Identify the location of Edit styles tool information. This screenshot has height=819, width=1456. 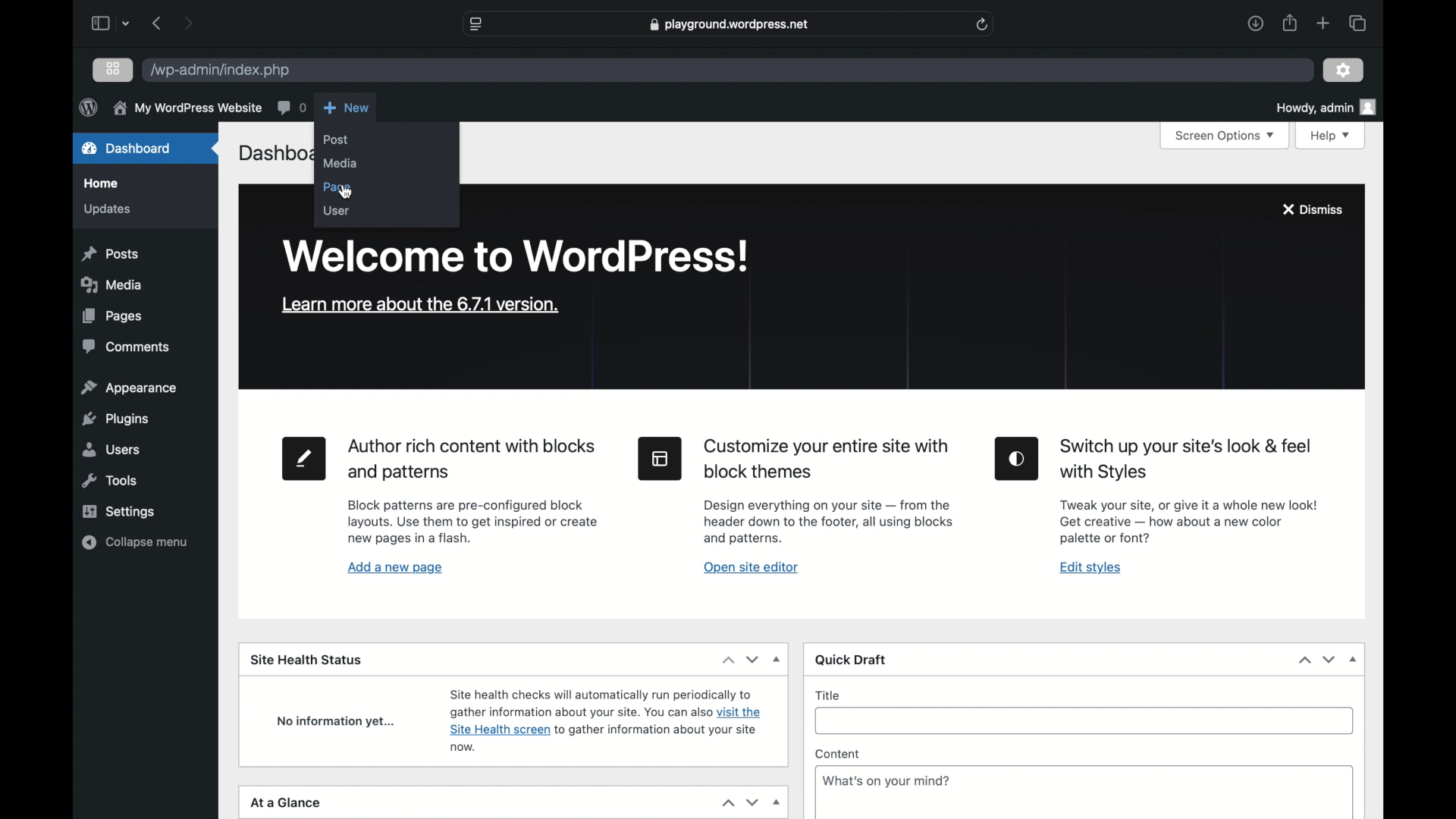
(1188, 522).